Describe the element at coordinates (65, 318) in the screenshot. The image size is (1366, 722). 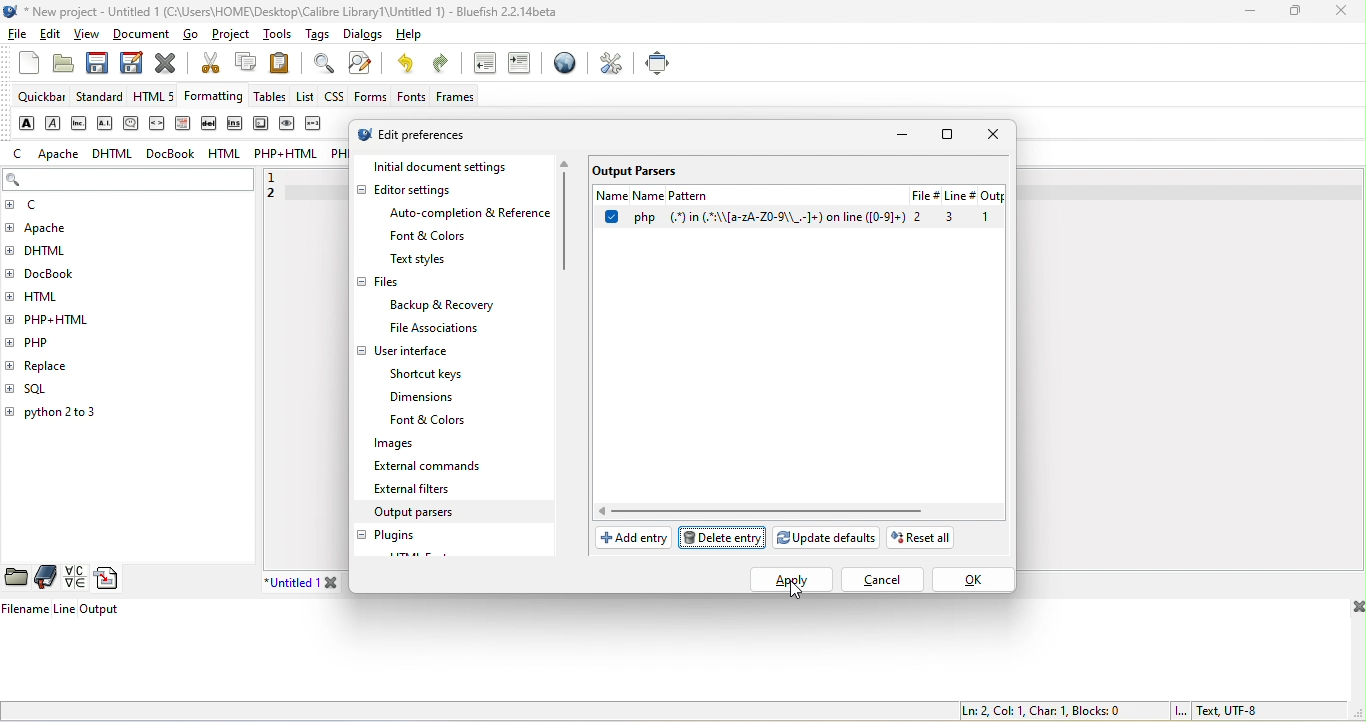
I see `php+html` at that location.